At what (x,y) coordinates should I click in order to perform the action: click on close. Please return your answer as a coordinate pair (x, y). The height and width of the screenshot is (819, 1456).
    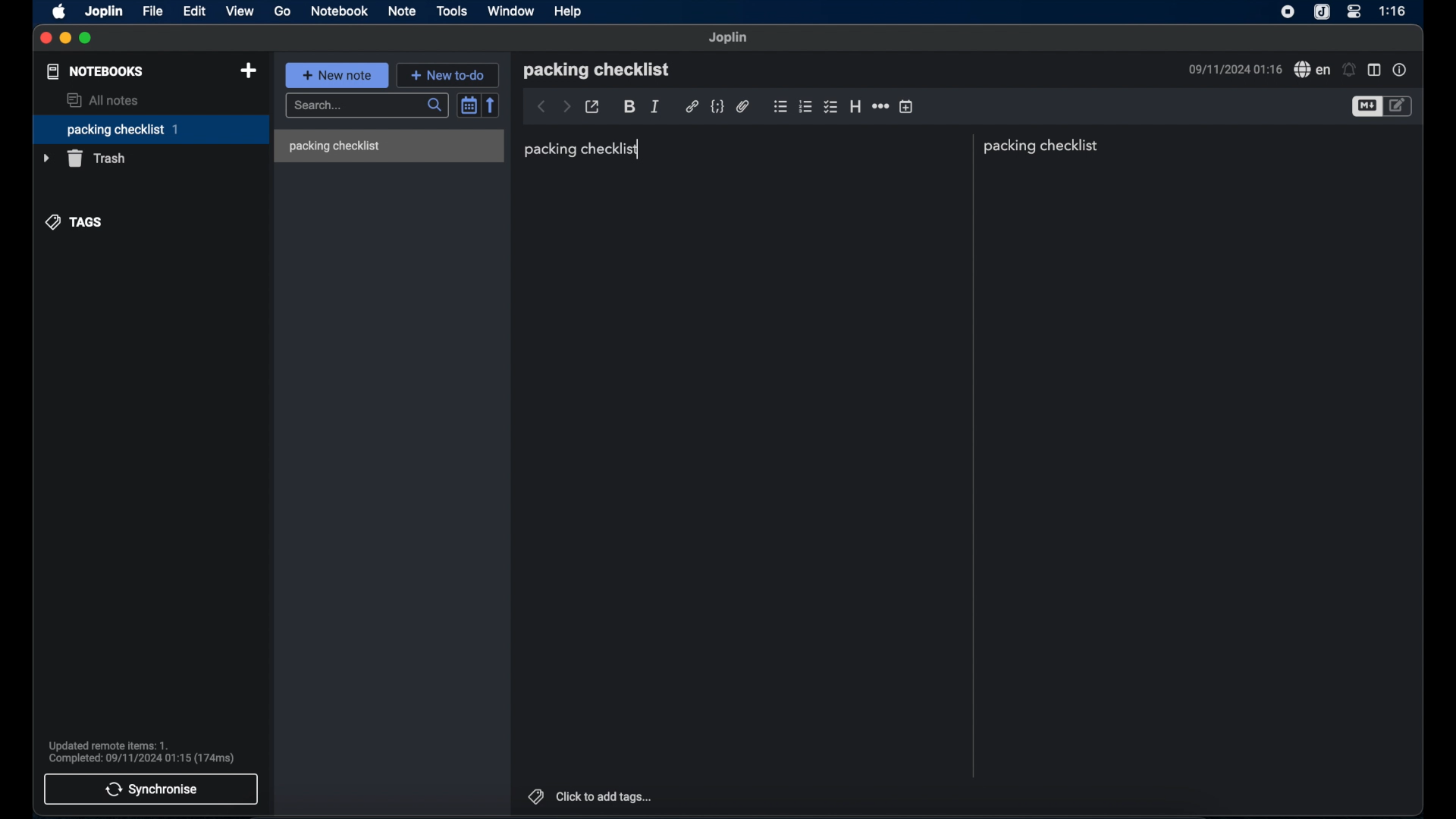
    Looking at the image, I should click on (45, 38).